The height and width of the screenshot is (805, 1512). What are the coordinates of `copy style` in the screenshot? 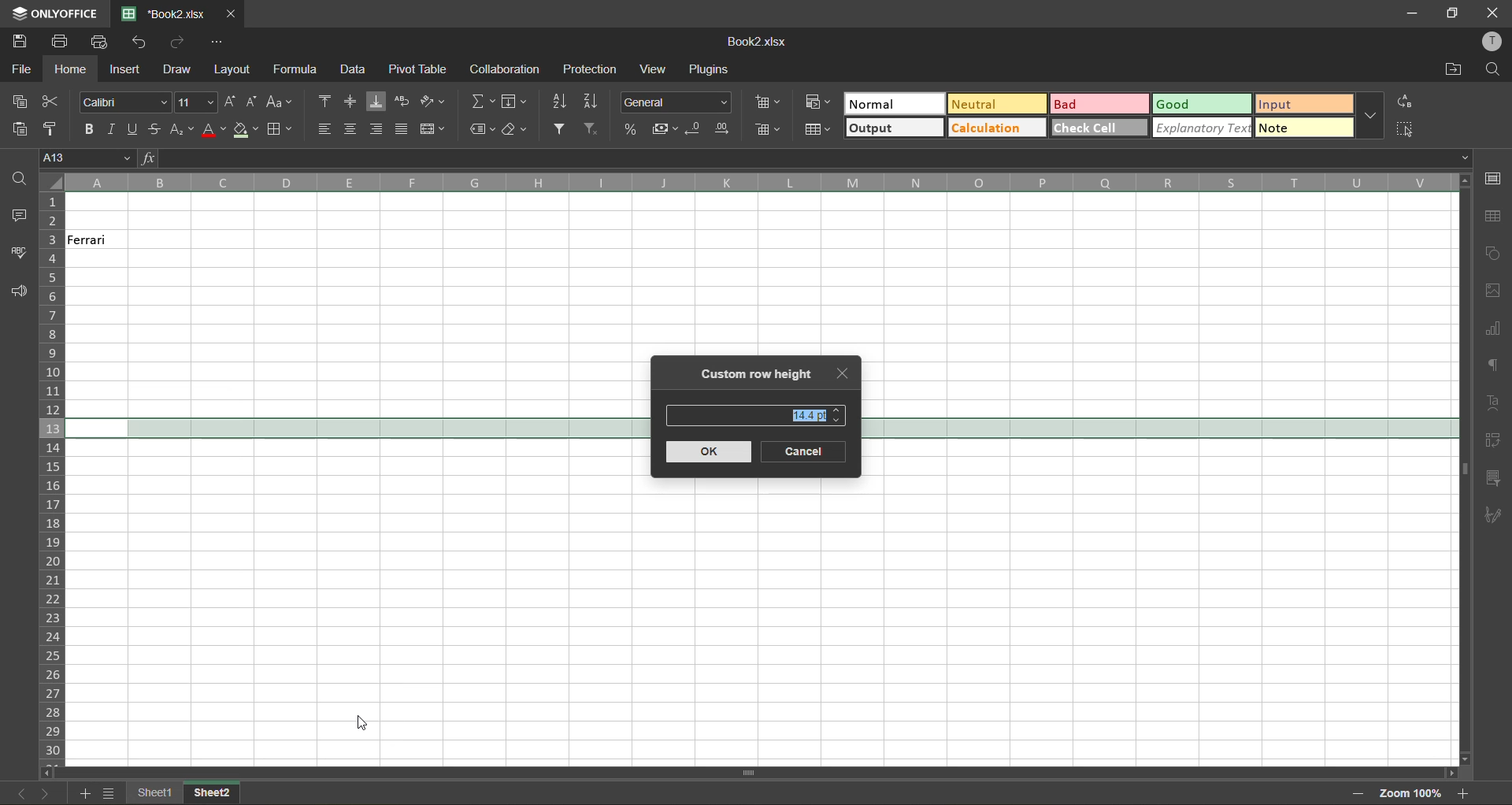 It's located at (55, 126).